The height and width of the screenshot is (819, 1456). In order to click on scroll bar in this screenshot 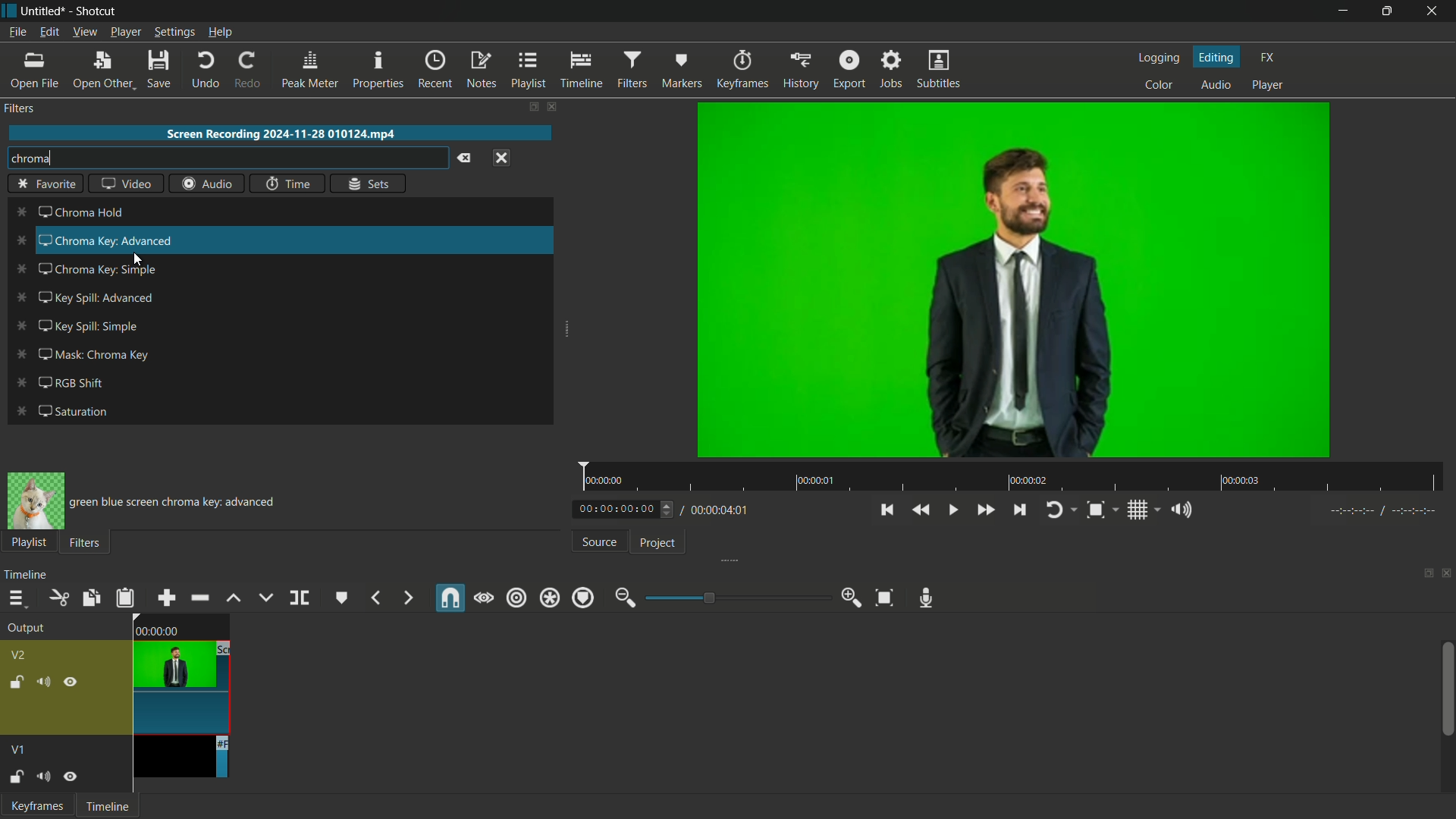, I will do `click(1447, 689)`.